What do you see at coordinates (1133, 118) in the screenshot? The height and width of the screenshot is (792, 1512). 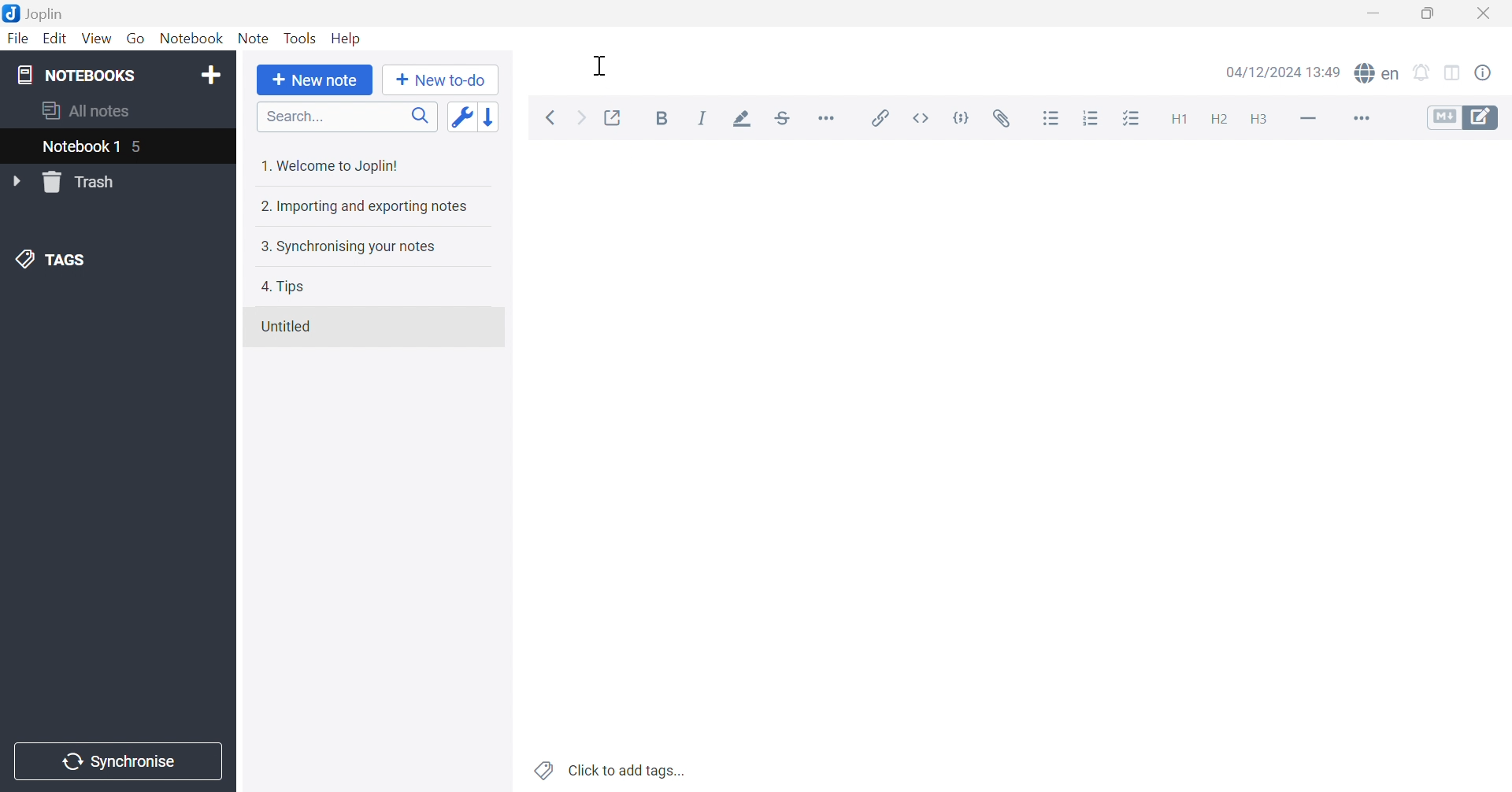 I see `Checkbox list` at bounding box center [1133, 118].